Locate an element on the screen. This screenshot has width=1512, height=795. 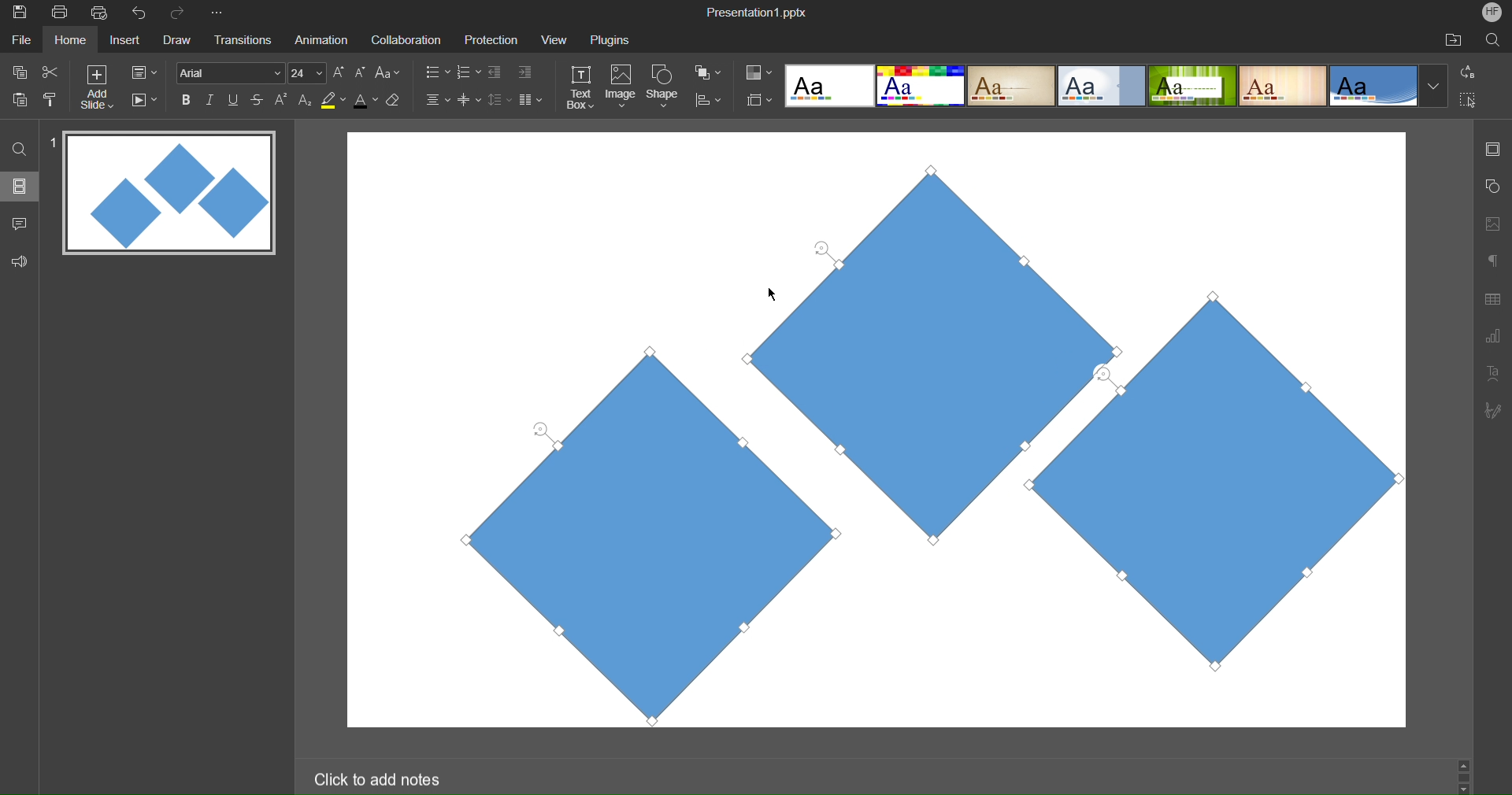
Horizontally Aligned Shapes is located at coordinates (915, 438).